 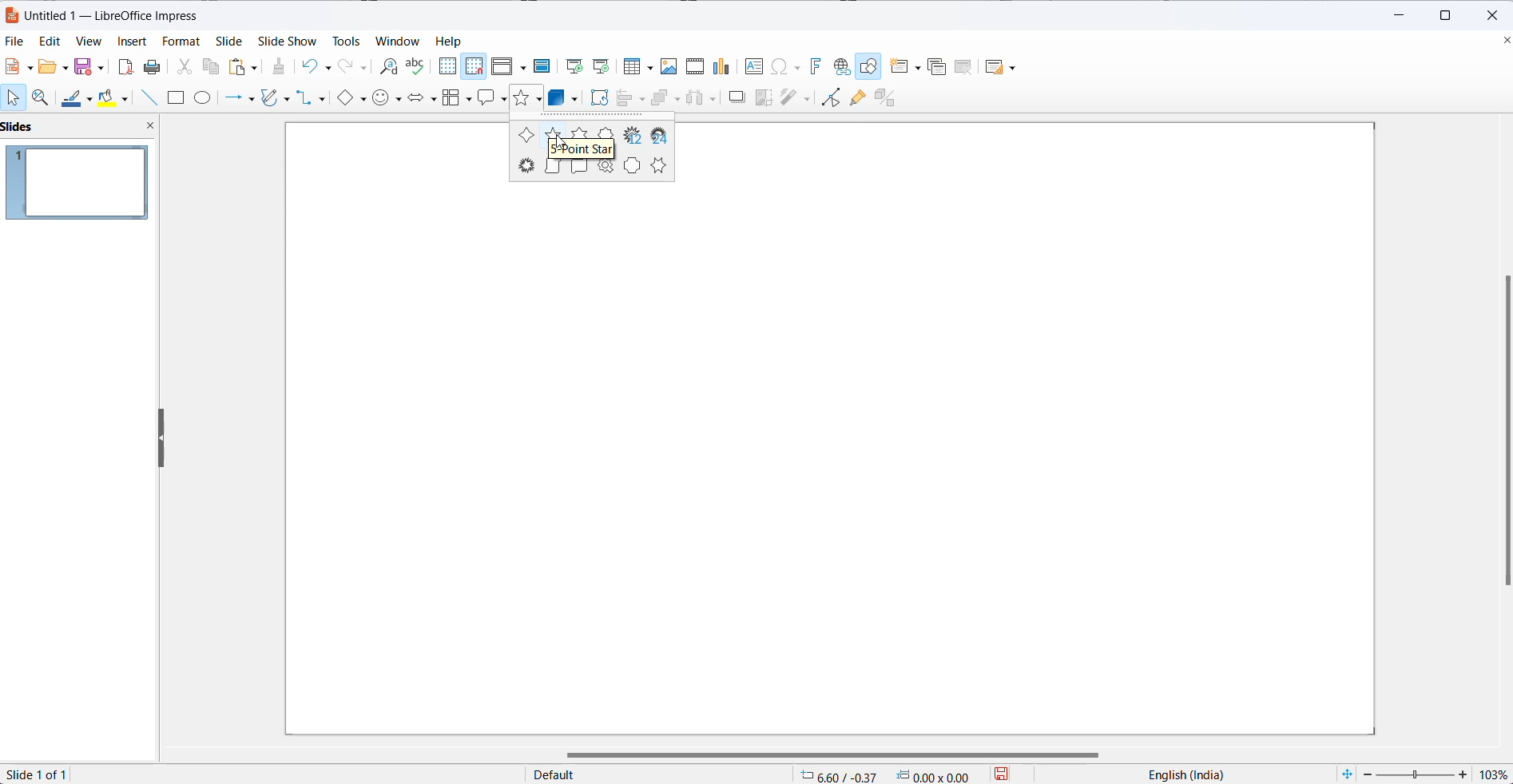 I want to click on line and arrows, so click(x=237, y=99).